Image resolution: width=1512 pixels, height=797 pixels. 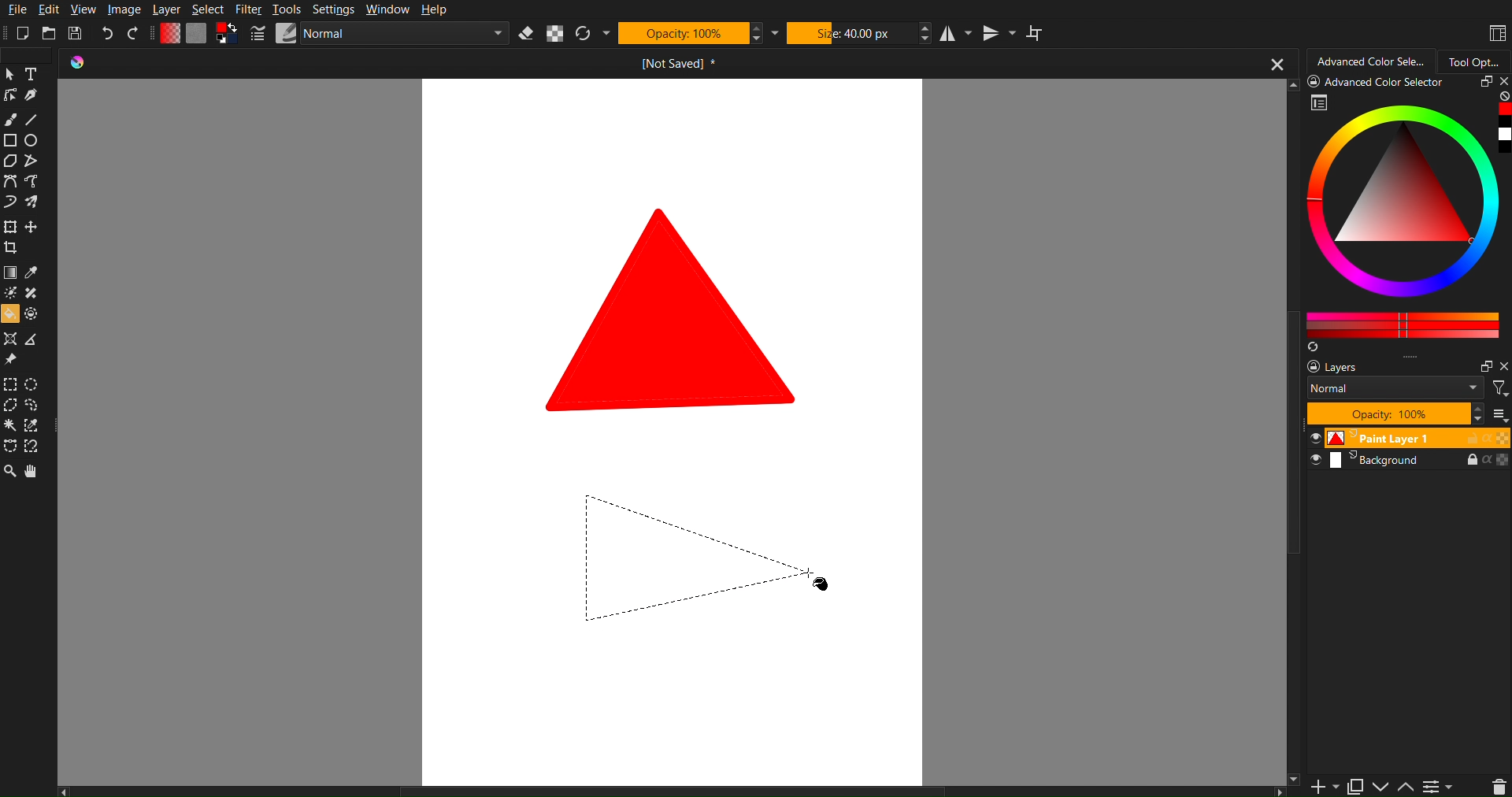 What do you see at coordinates (36, 406) in the screenshot?
I see `Selection freeshape` at bounding box center [36, 406].